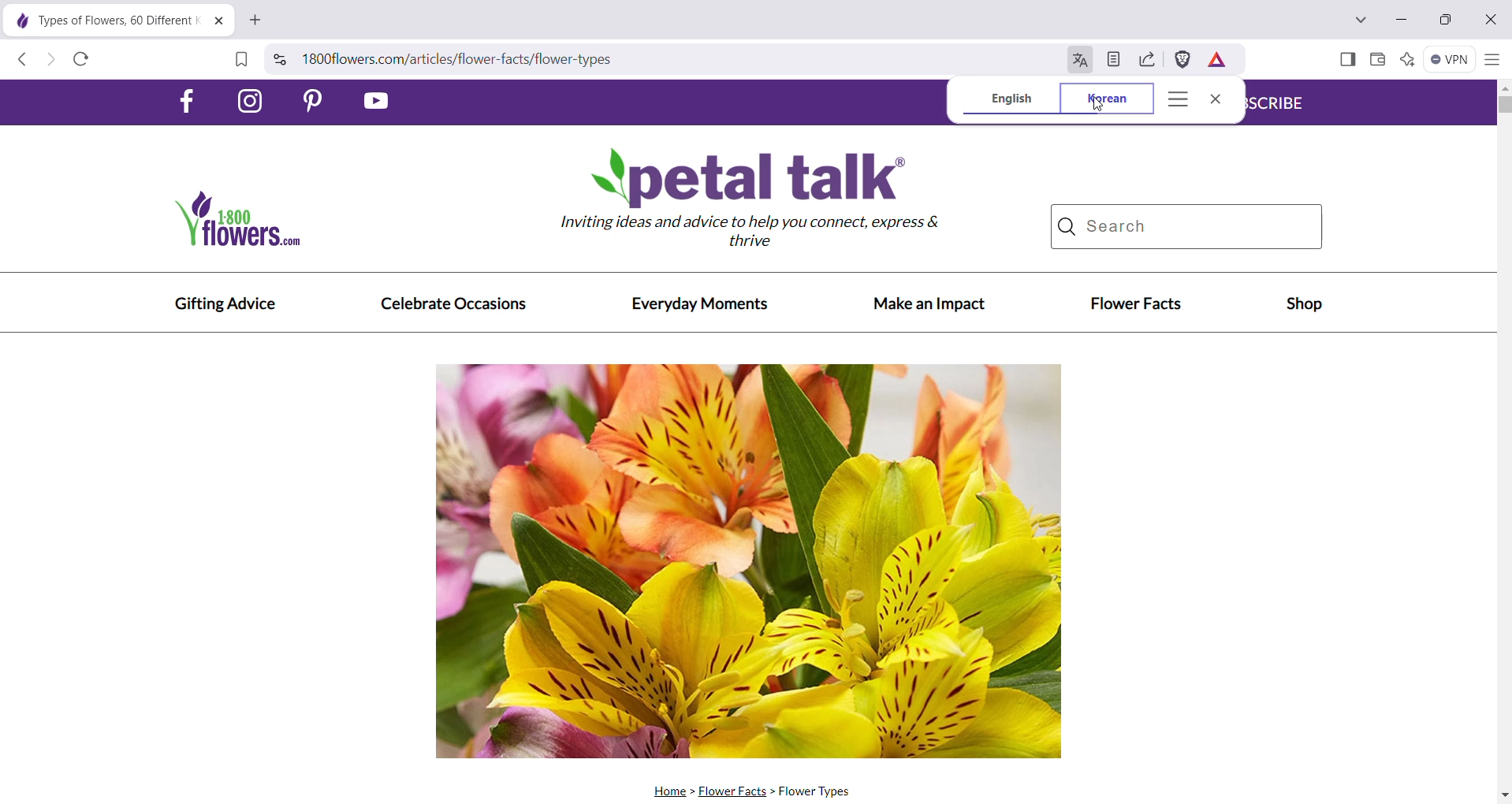 The height and width of the screenshot is (804, 1512). I want to click on Click to go back, hold to see history, so click(24, 59).